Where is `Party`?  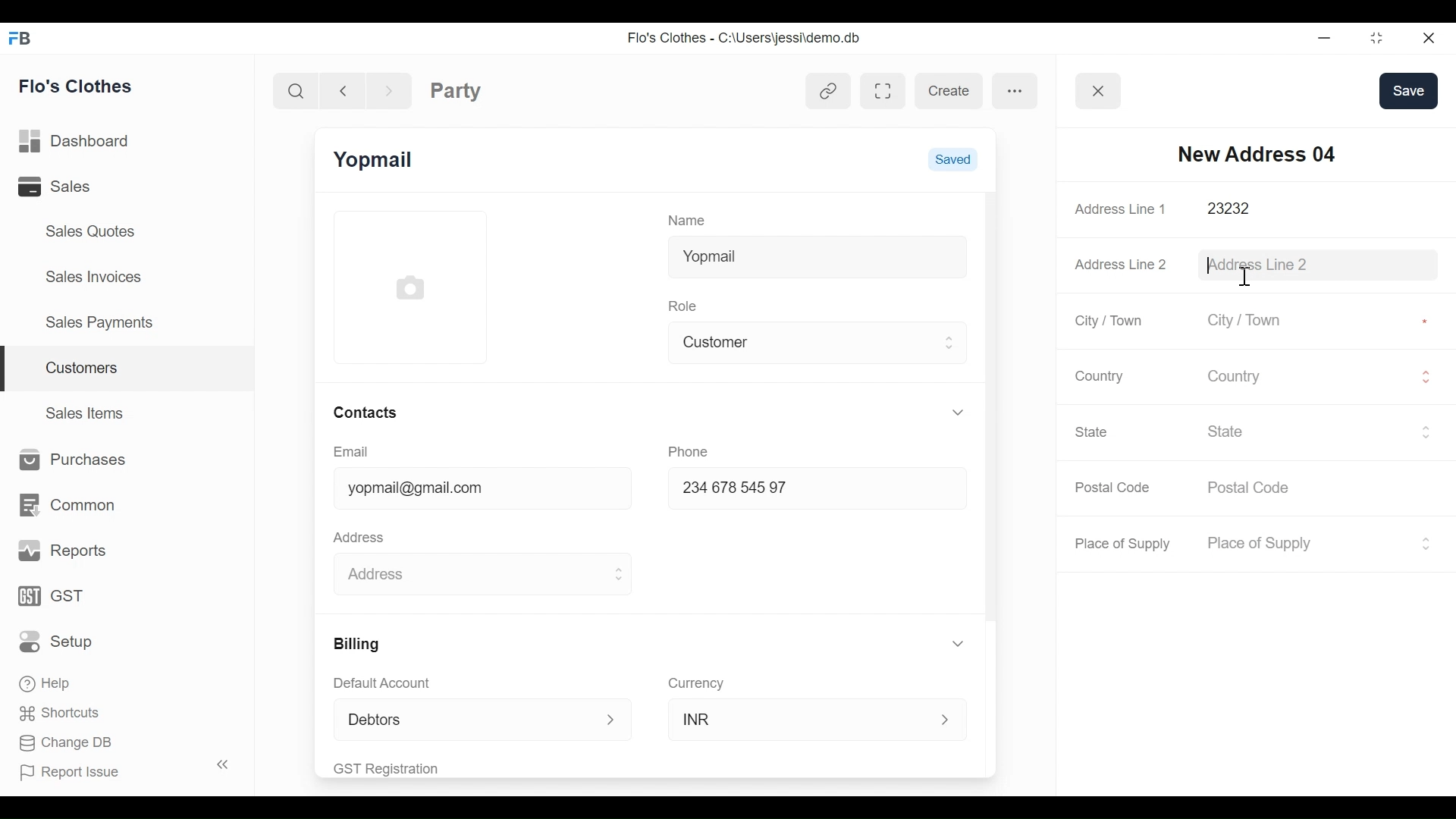
Party is located at coordinates (456, 90).